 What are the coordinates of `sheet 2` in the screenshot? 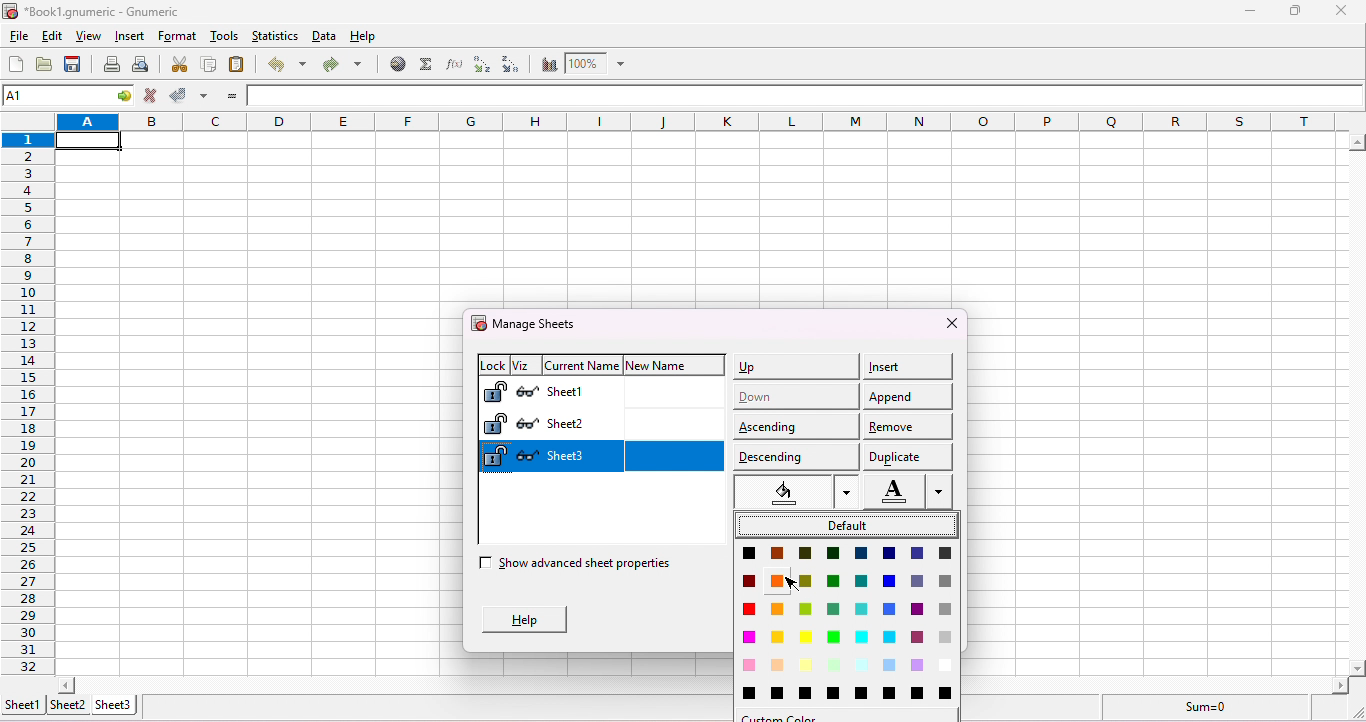 It's located at (72, 706).